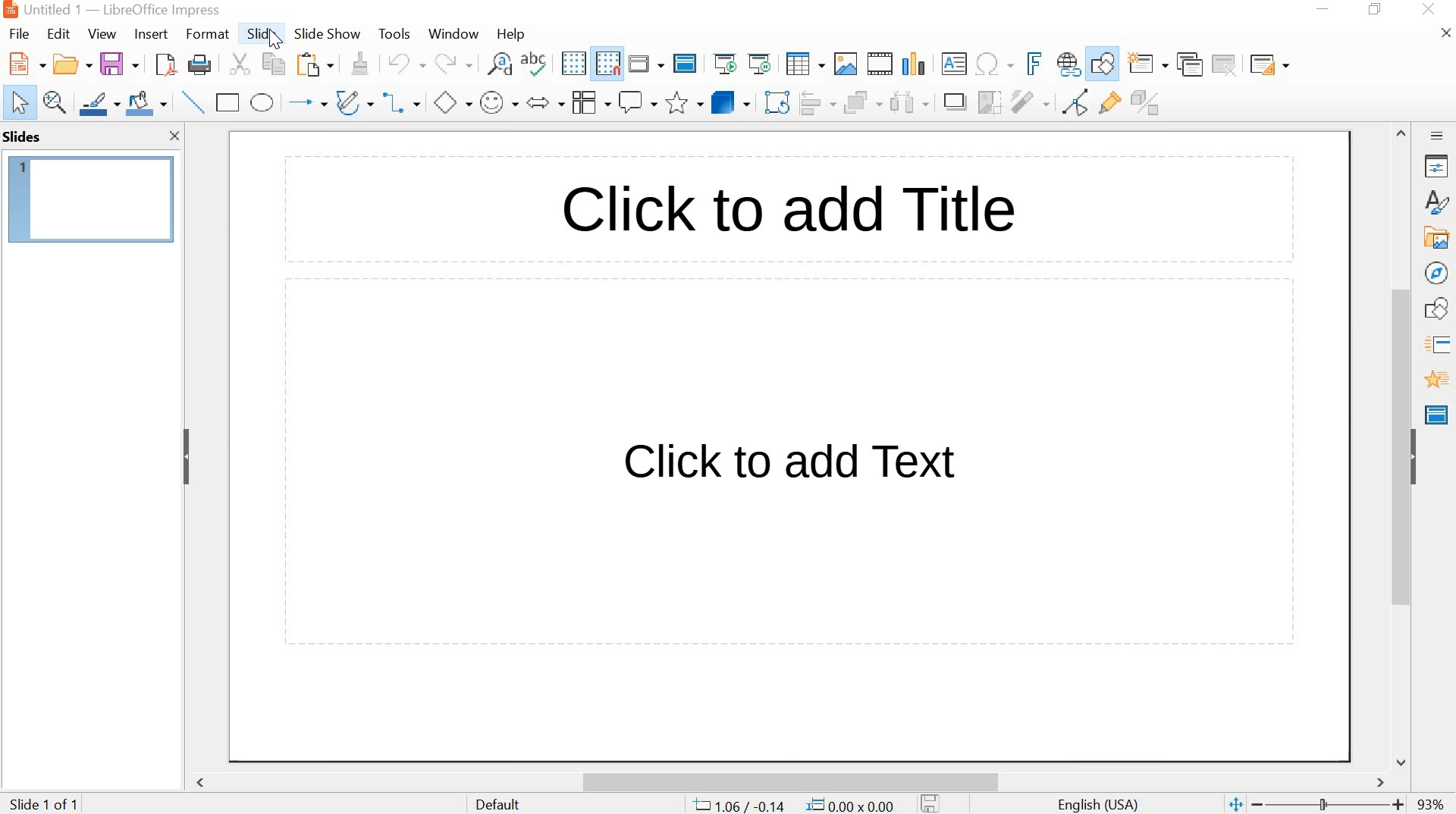  Describe the element at coordinates (1029, 102) in the screenshot. I see `Filter` at that location.